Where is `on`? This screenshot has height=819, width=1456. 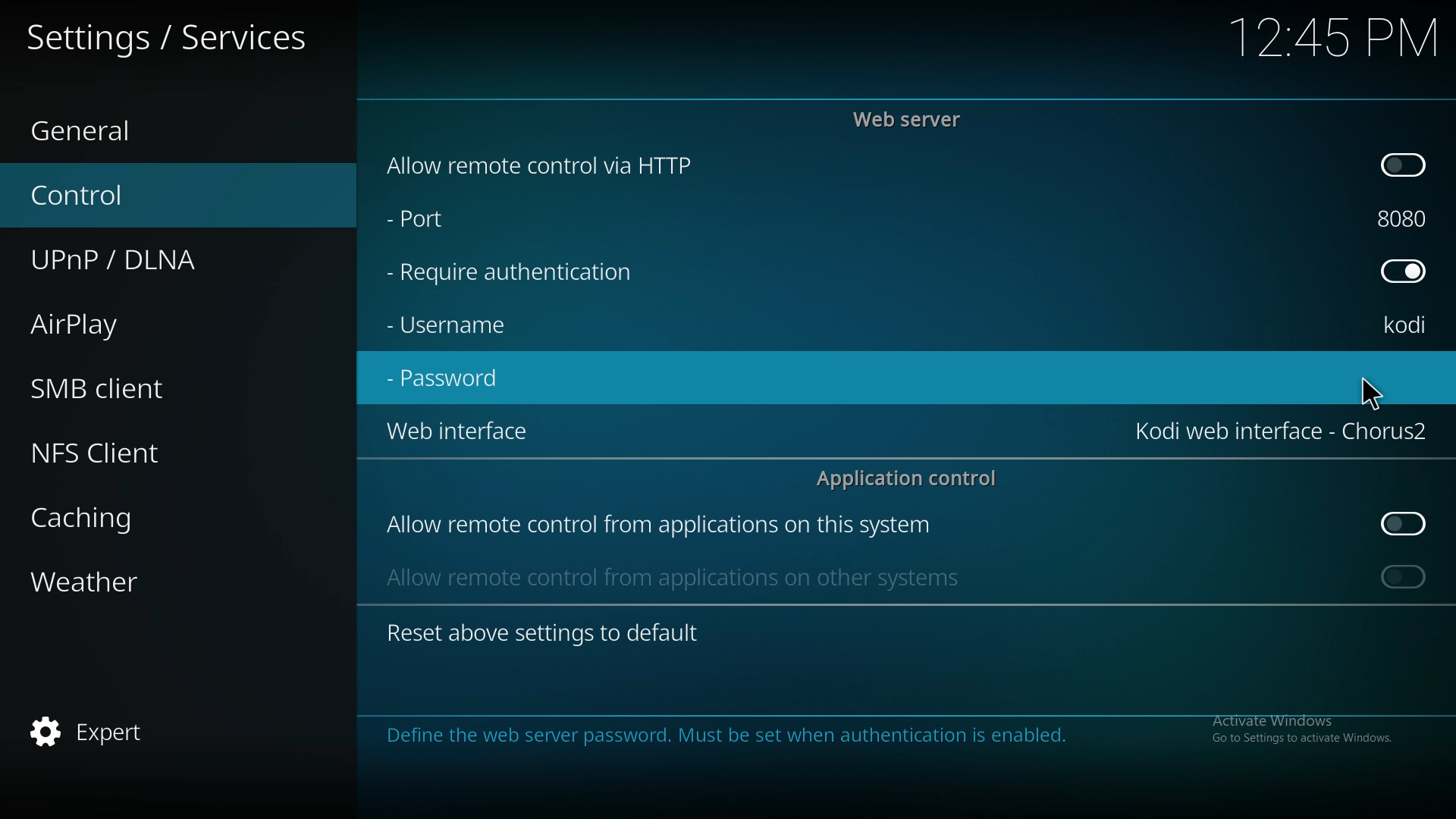
on is located at coordinates (1404, 576).